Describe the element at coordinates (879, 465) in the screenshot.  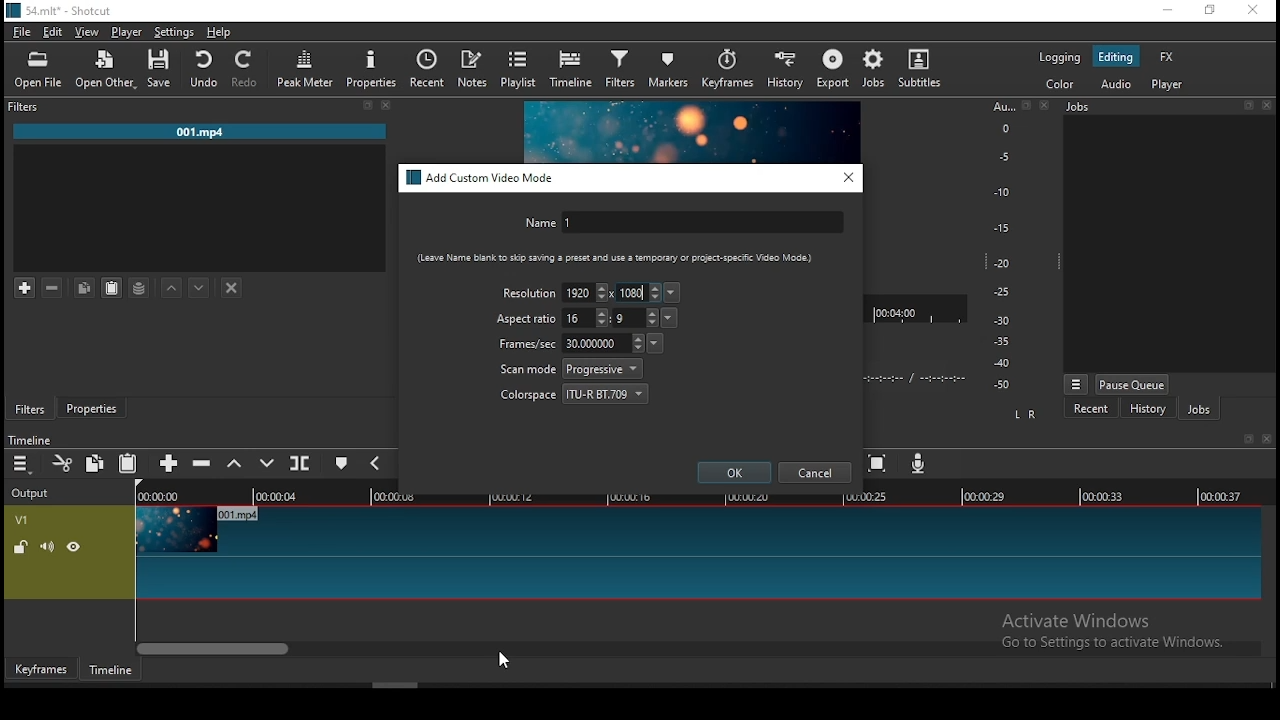
I see `zoom timeline to fit` at that location.